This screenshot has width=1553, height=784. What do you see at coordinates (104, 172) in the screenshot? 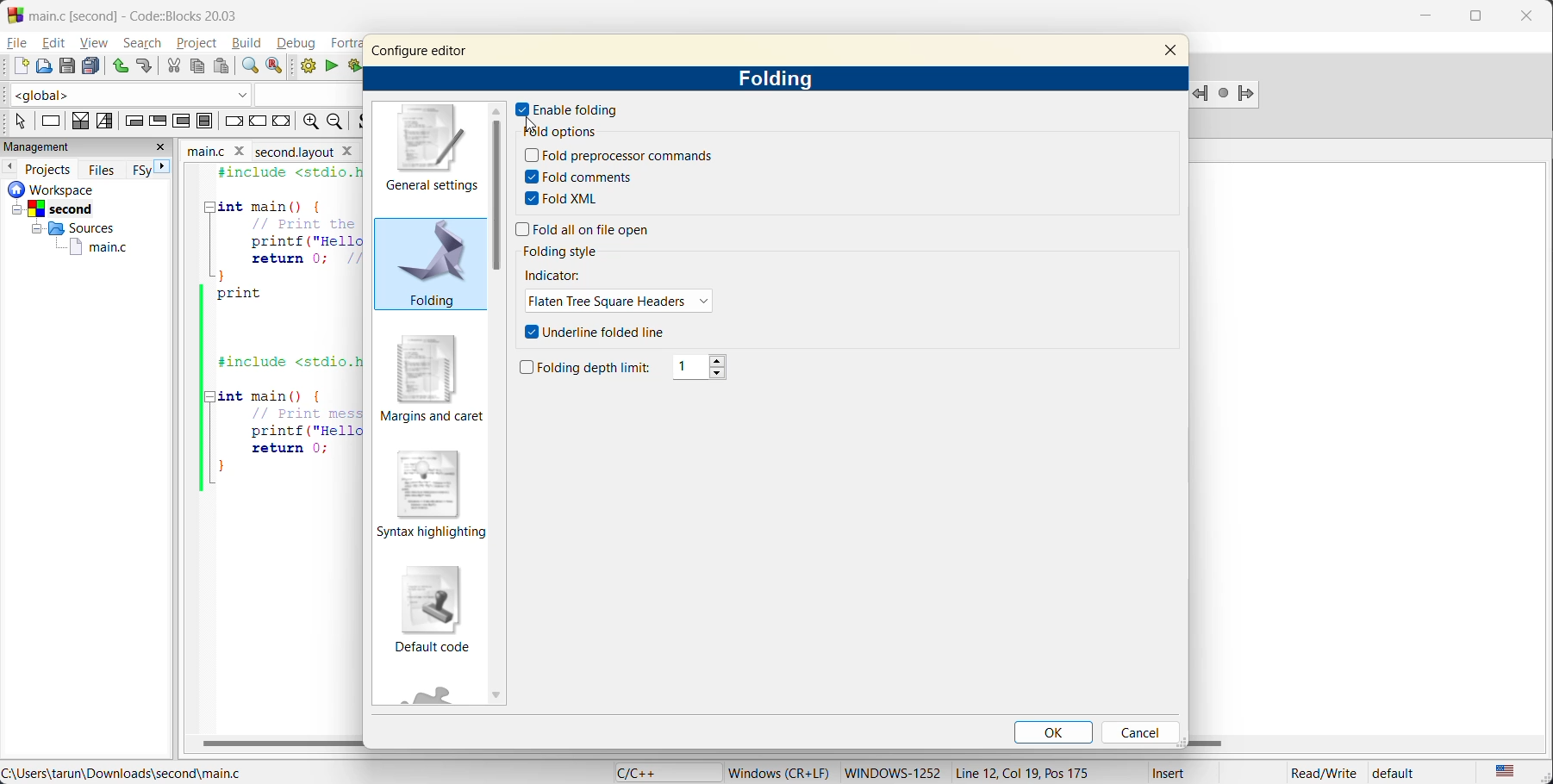
I see `files` at bounding box center [104, 172].